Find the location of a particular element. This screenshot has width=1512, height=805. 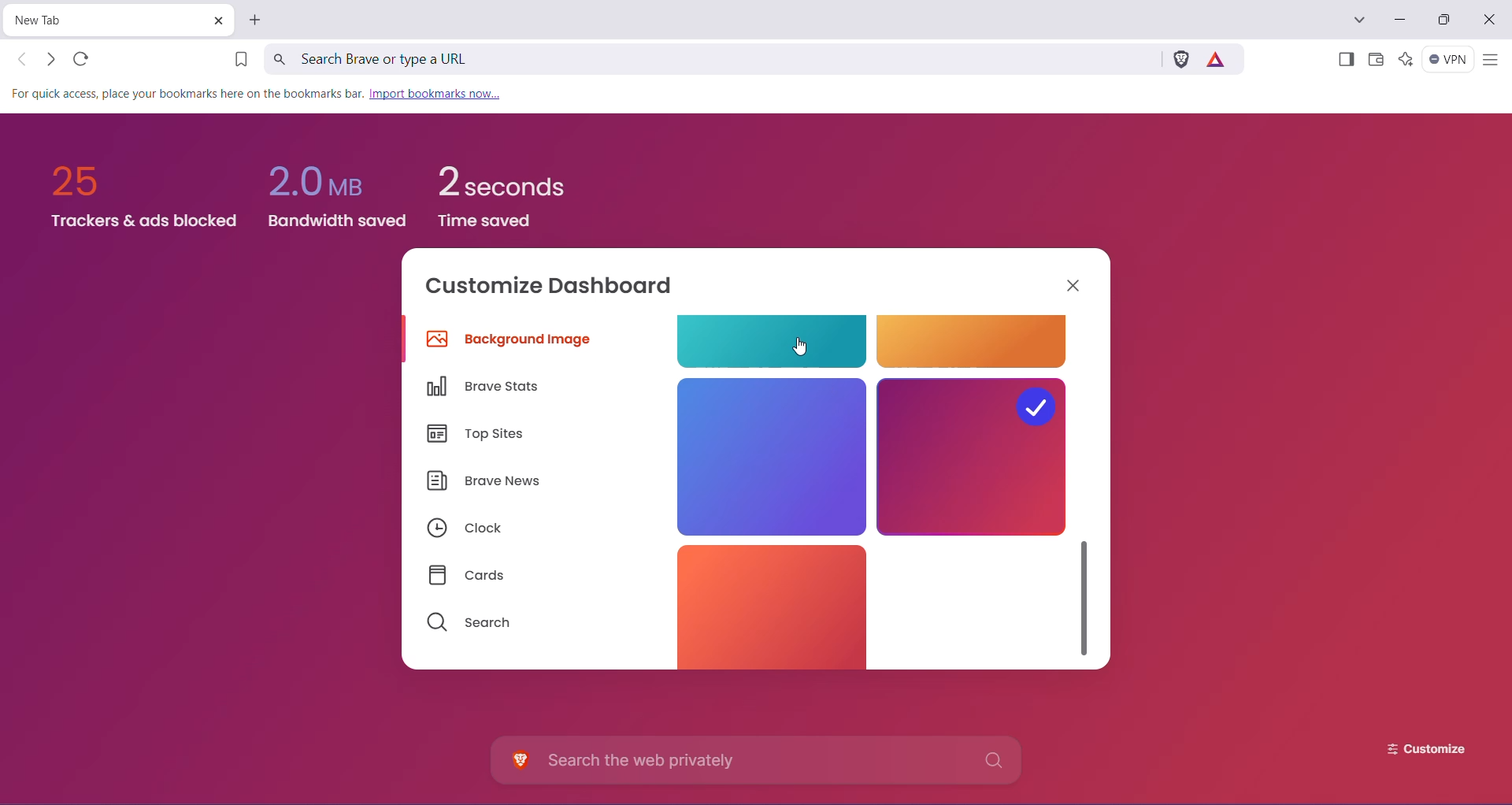

Close is located at coordinates (1491, 20).